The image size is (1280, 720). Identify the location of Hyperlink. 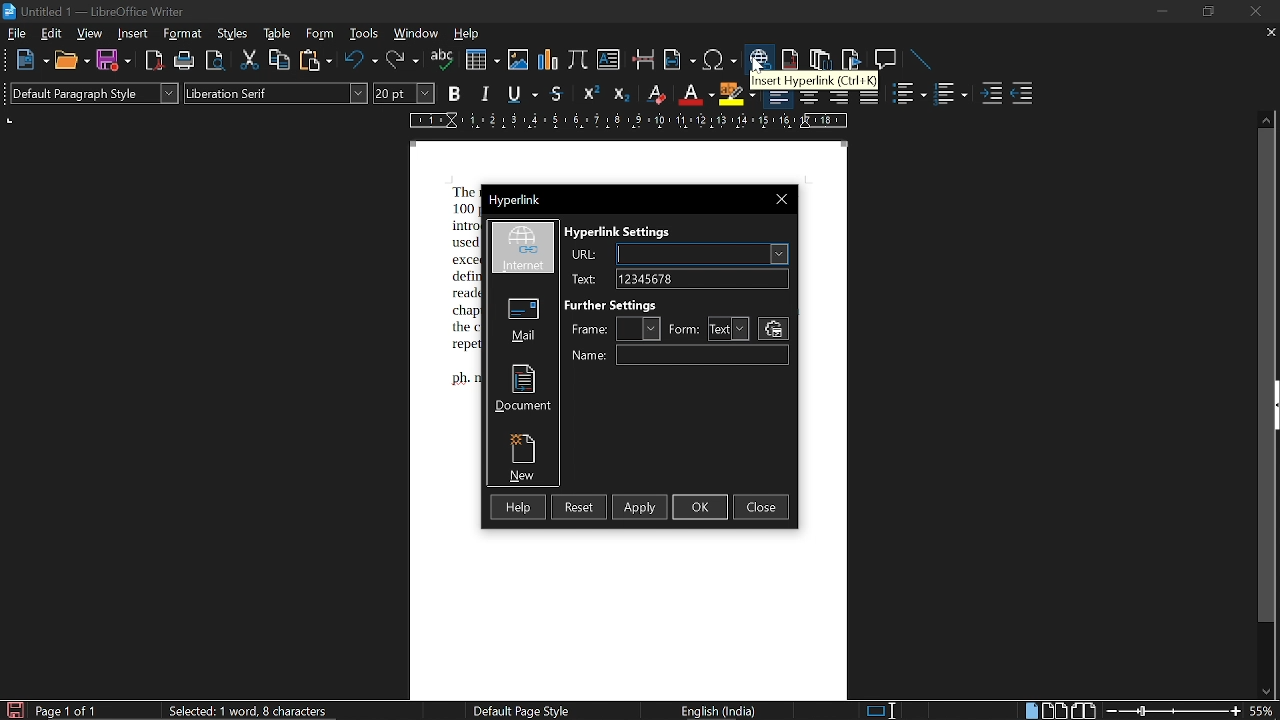
(515, 200).